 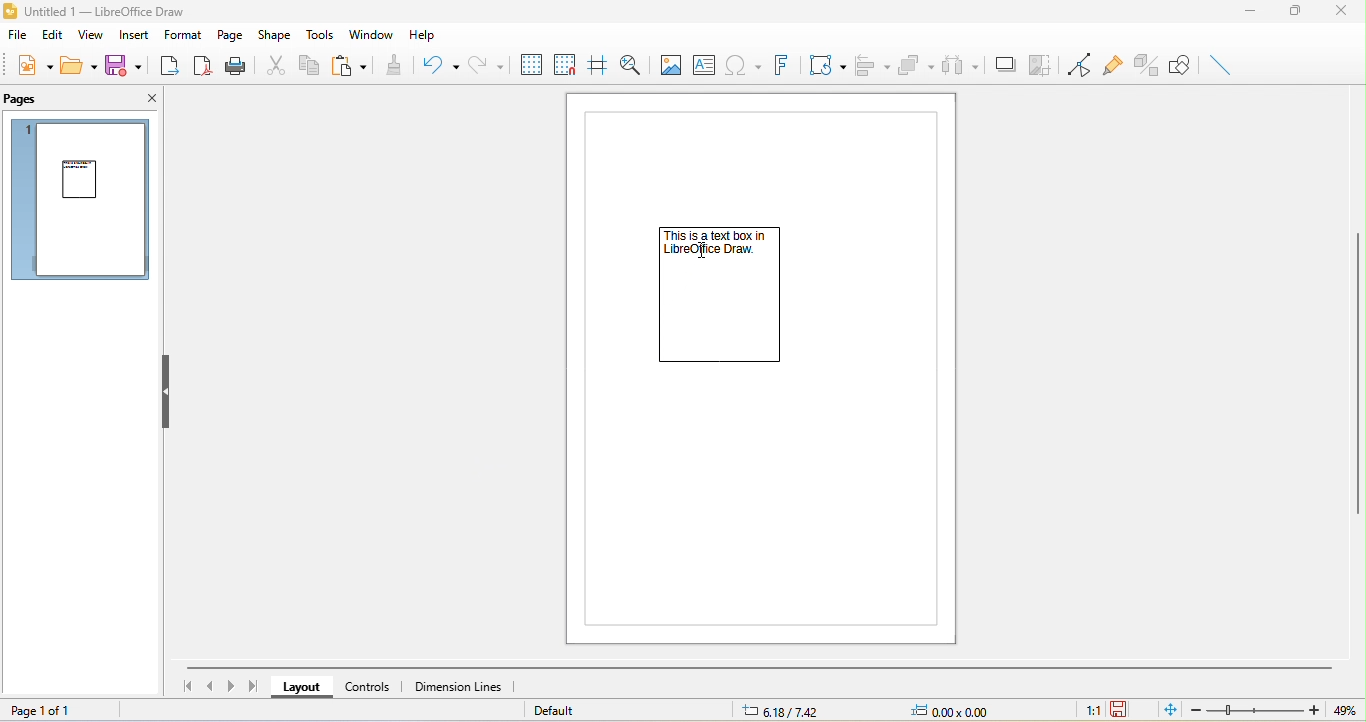 I want to click on shape, so click(x=274, y=36).